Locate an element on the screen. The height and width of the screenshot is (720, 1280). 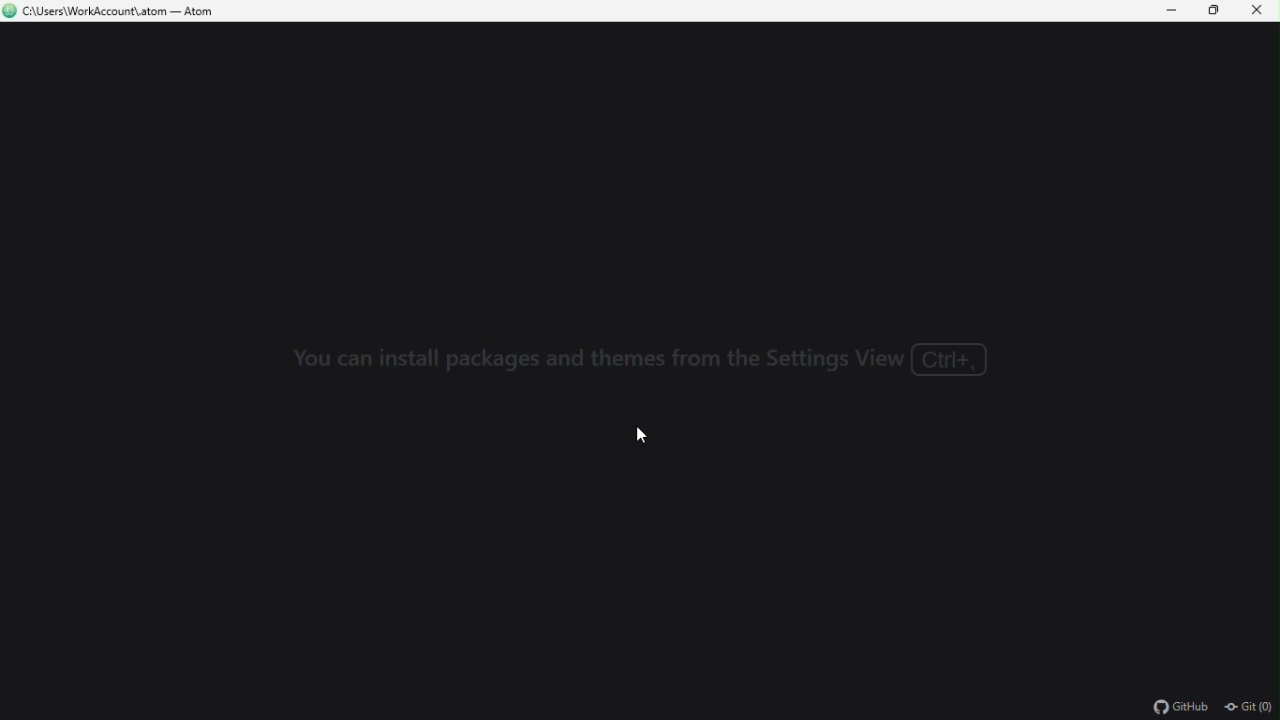
restore is located at coordinates (1218, 12).